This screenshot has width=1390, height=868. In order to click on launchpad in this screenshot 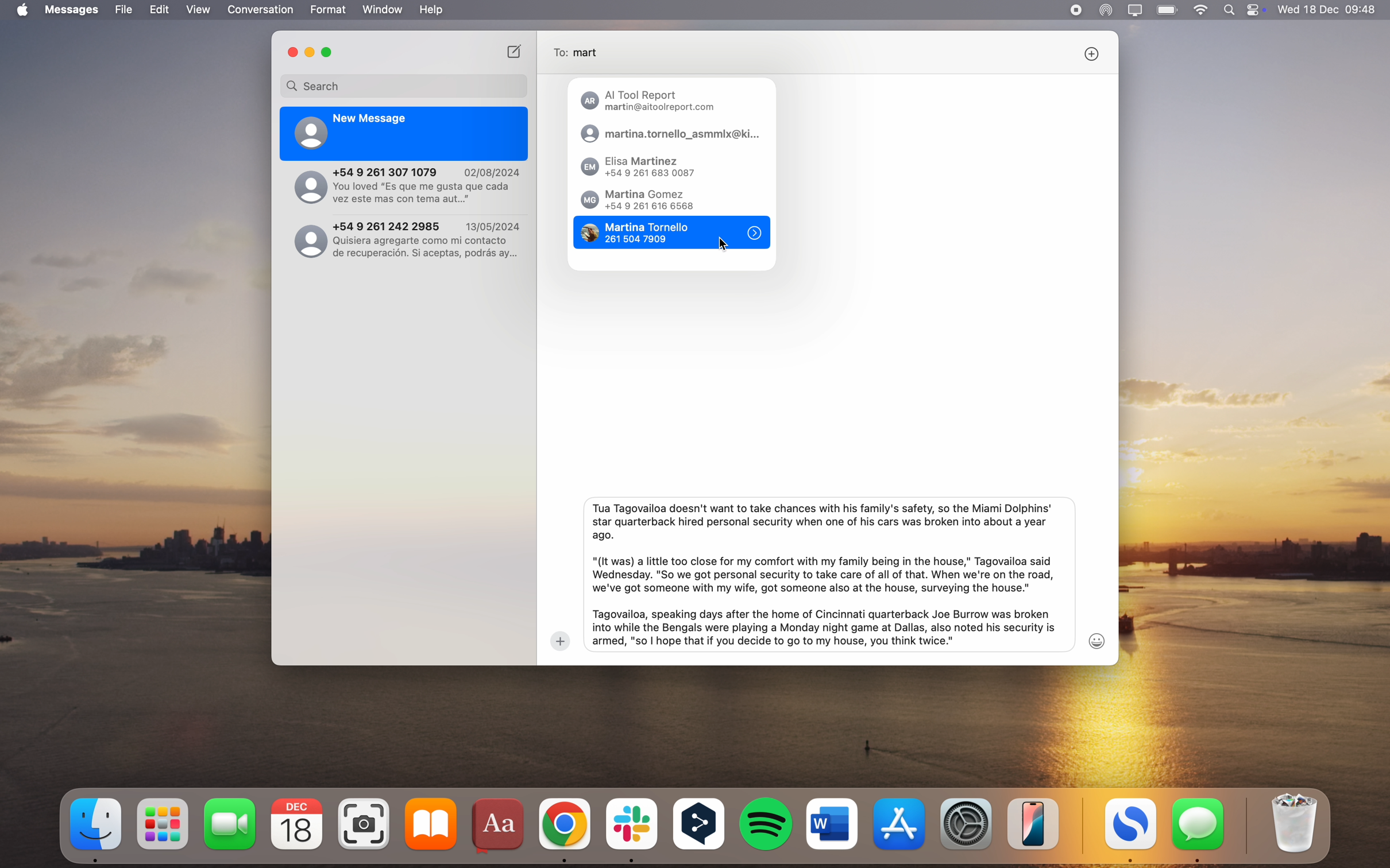, I will do `click(165, 824)`.